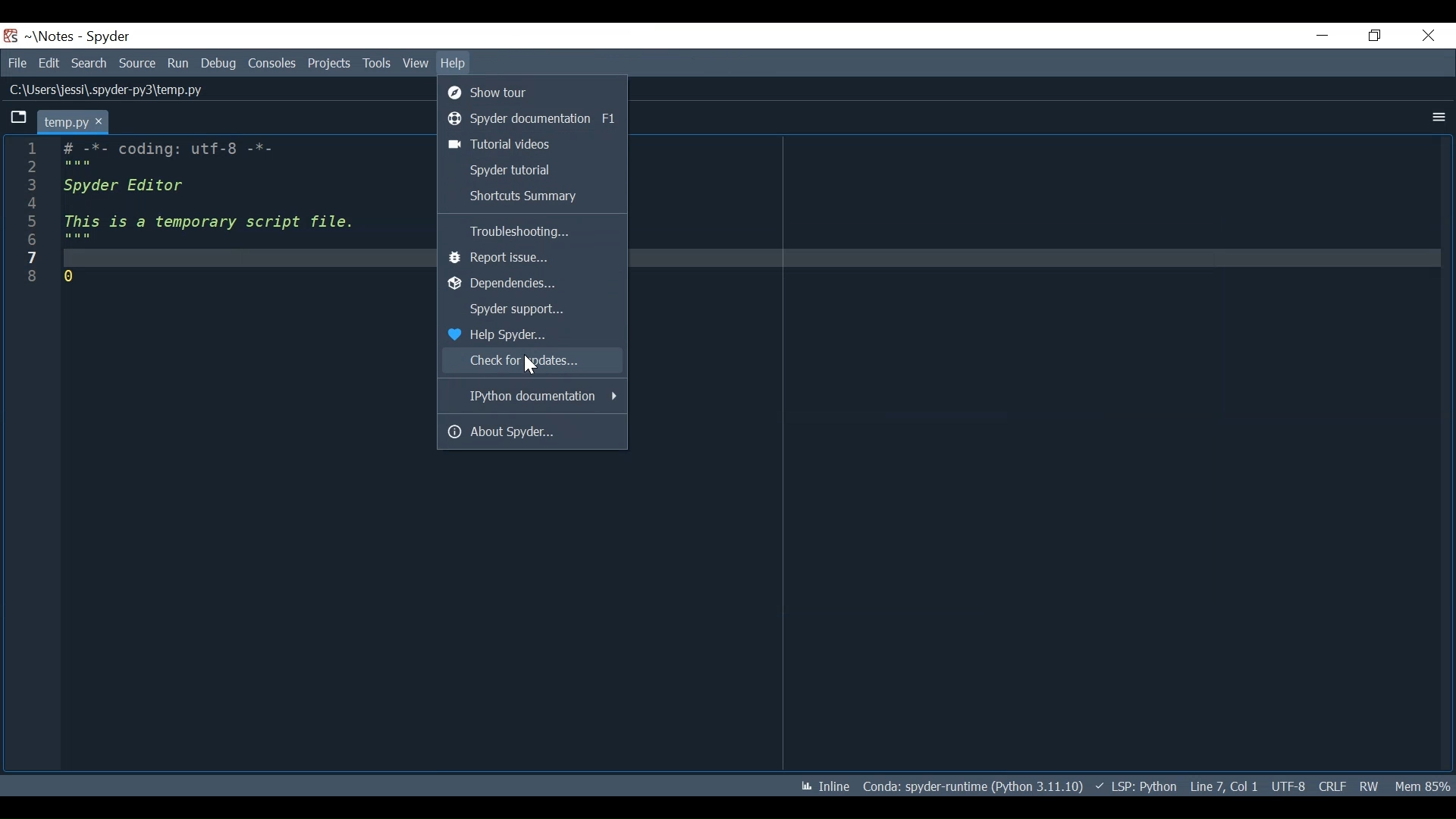 The image size is (1456, 819). Describe the element at coordinates (108, 37) in the screenshot. I see `Spyder ` at that location.